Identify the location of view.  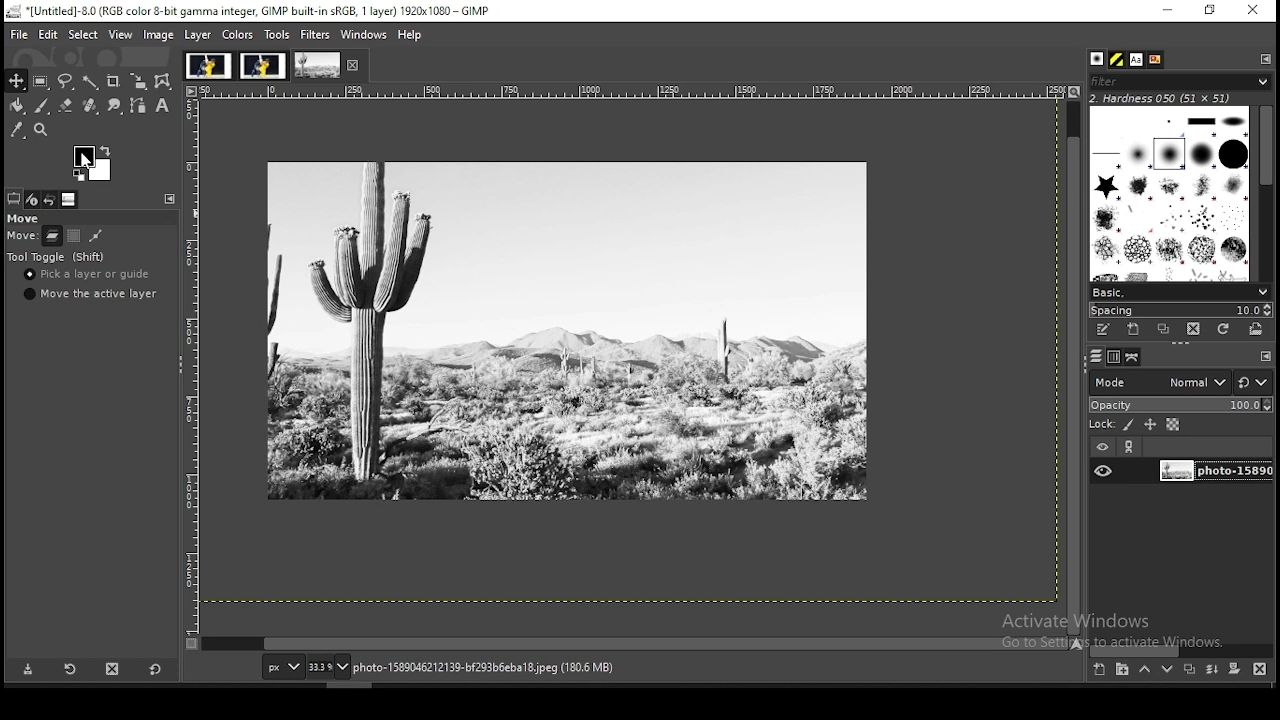
(122, 35).